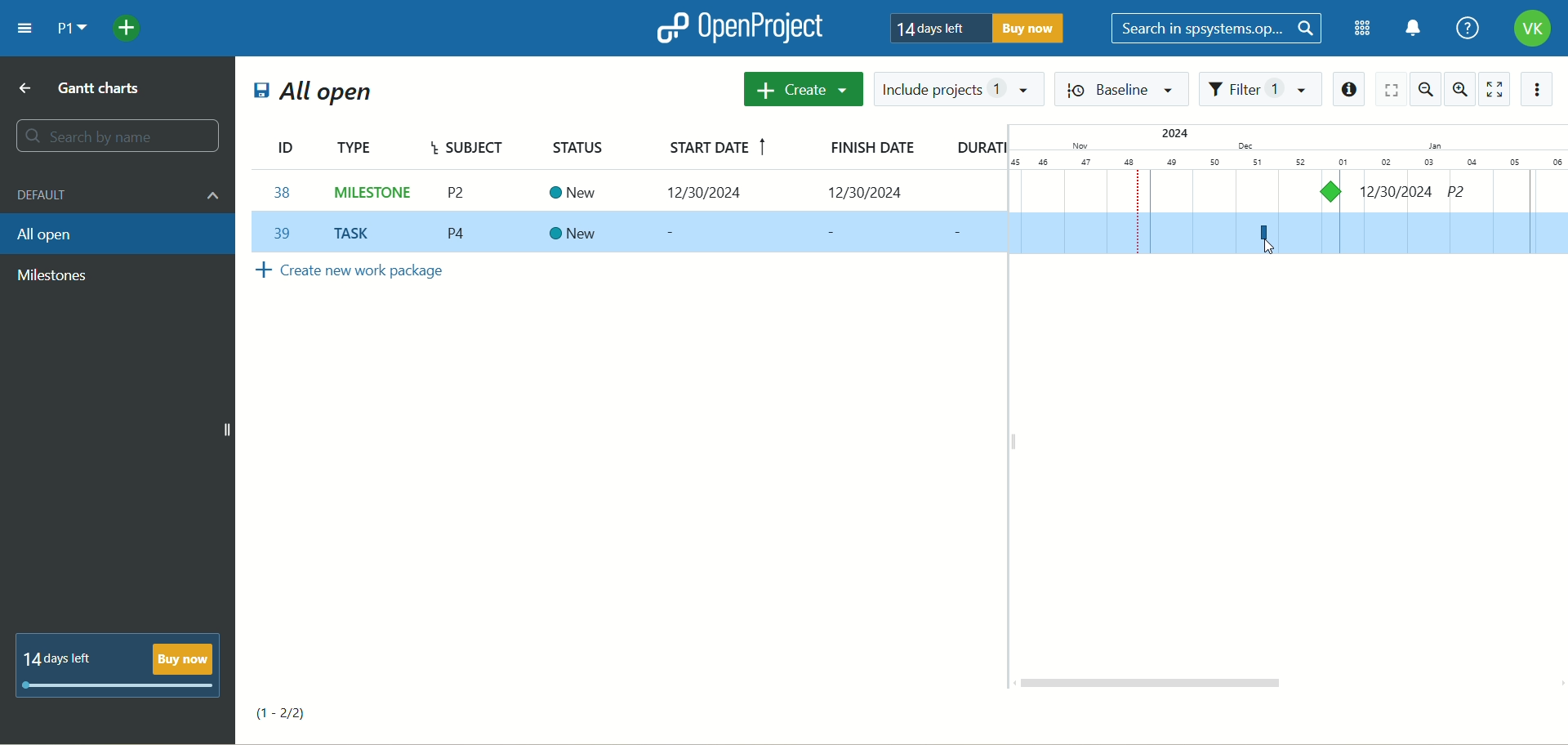  I want to click on add, so click(130, 29).